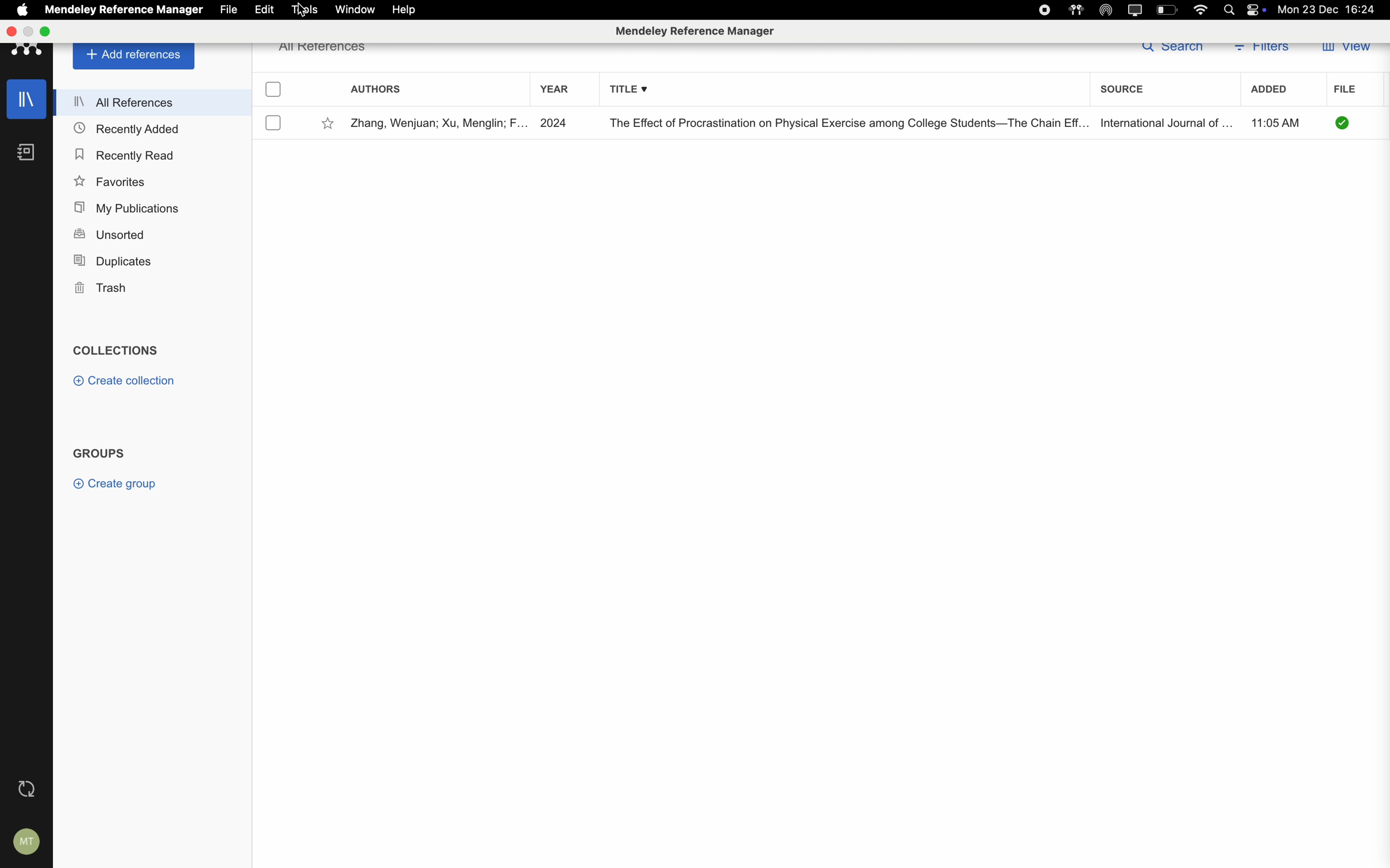 Image resolution: width=1390 pixels, height=868 pixels. Describe the element at coordinates (406, 10) in the screenshot. I see `help` at that location.